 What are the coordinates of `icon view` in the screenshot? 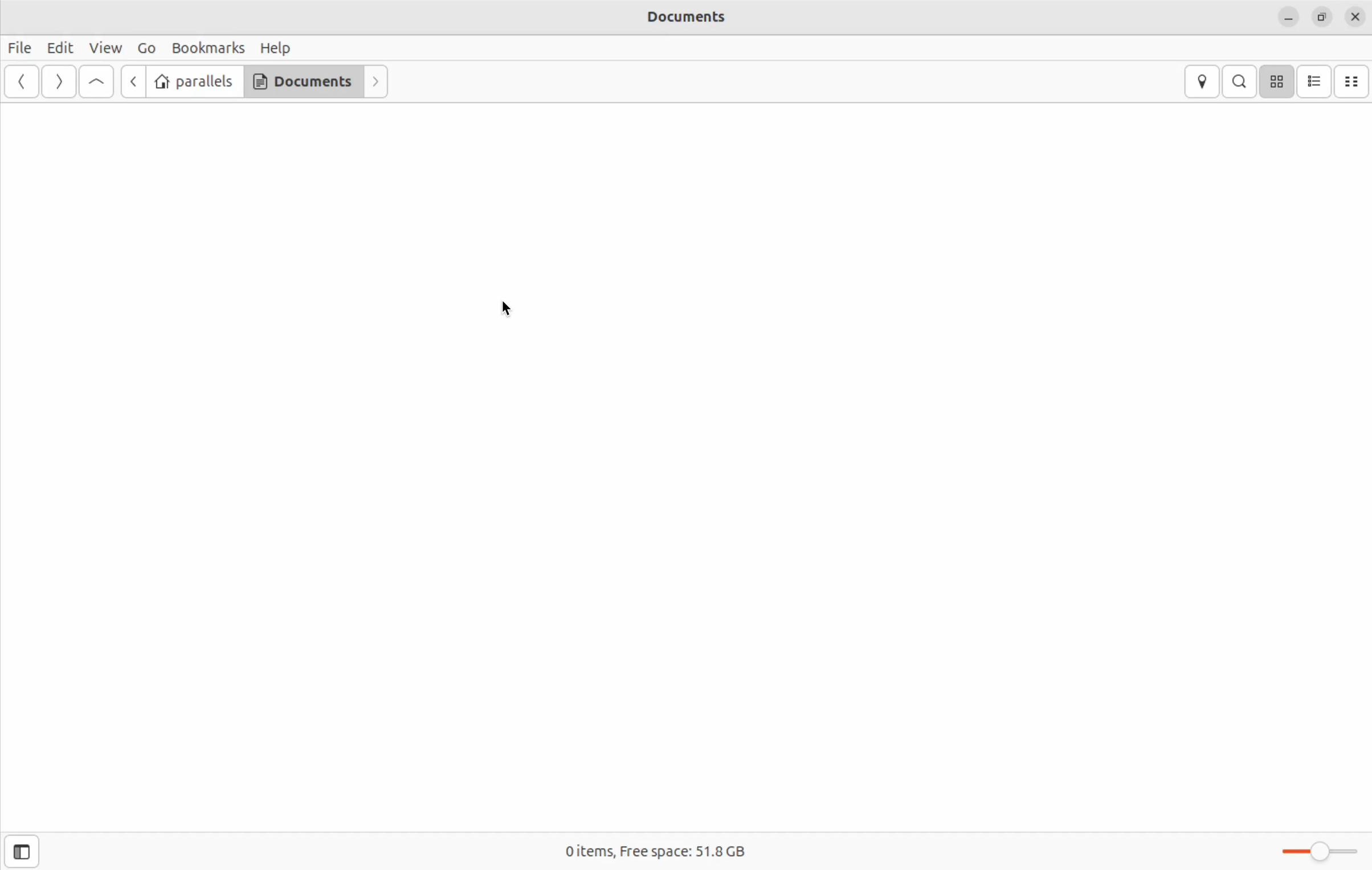 It's located at (1276, 81).